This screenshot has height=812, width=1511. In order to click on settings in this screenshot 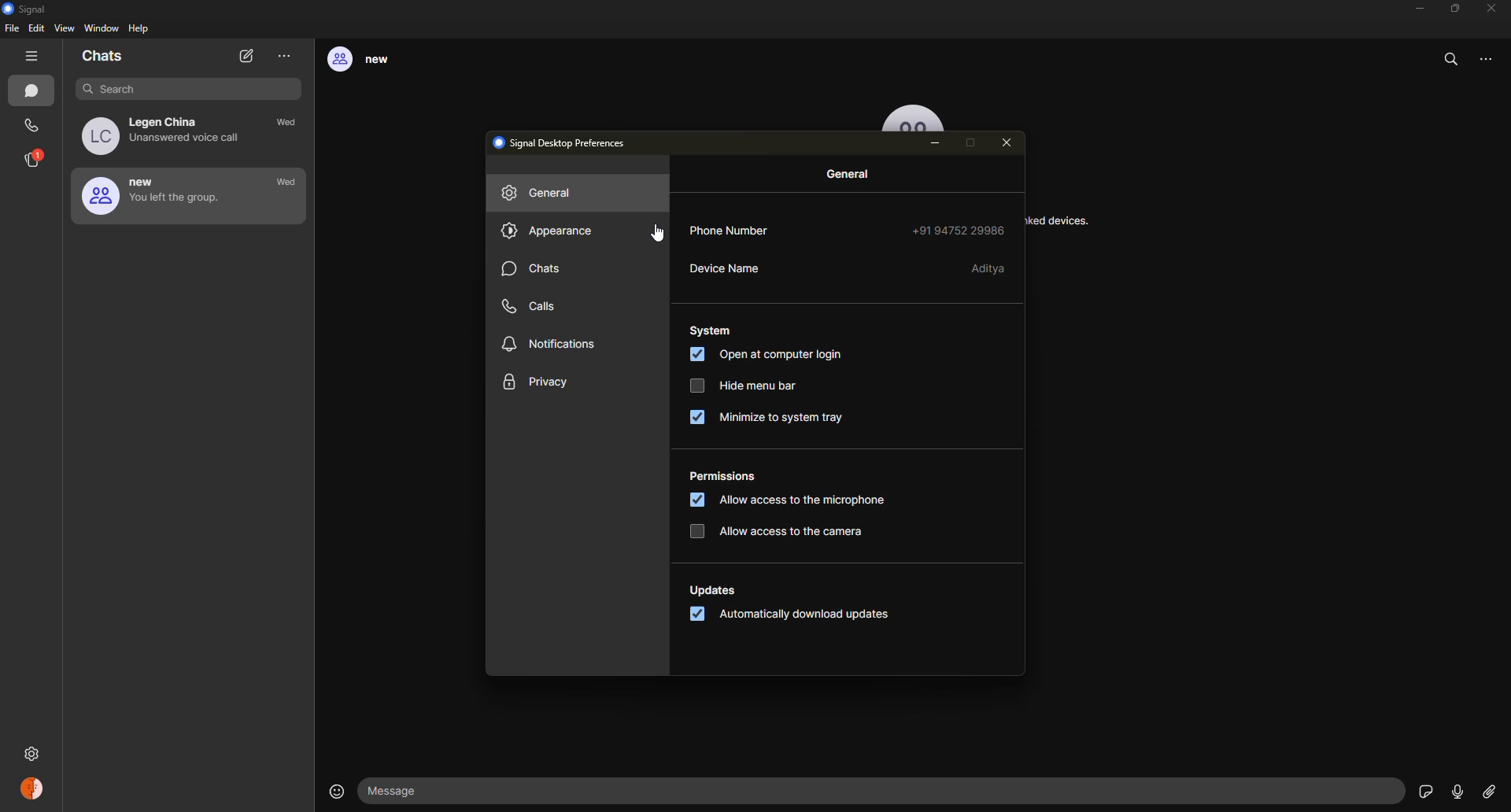, I will do `click(34, 751)`.